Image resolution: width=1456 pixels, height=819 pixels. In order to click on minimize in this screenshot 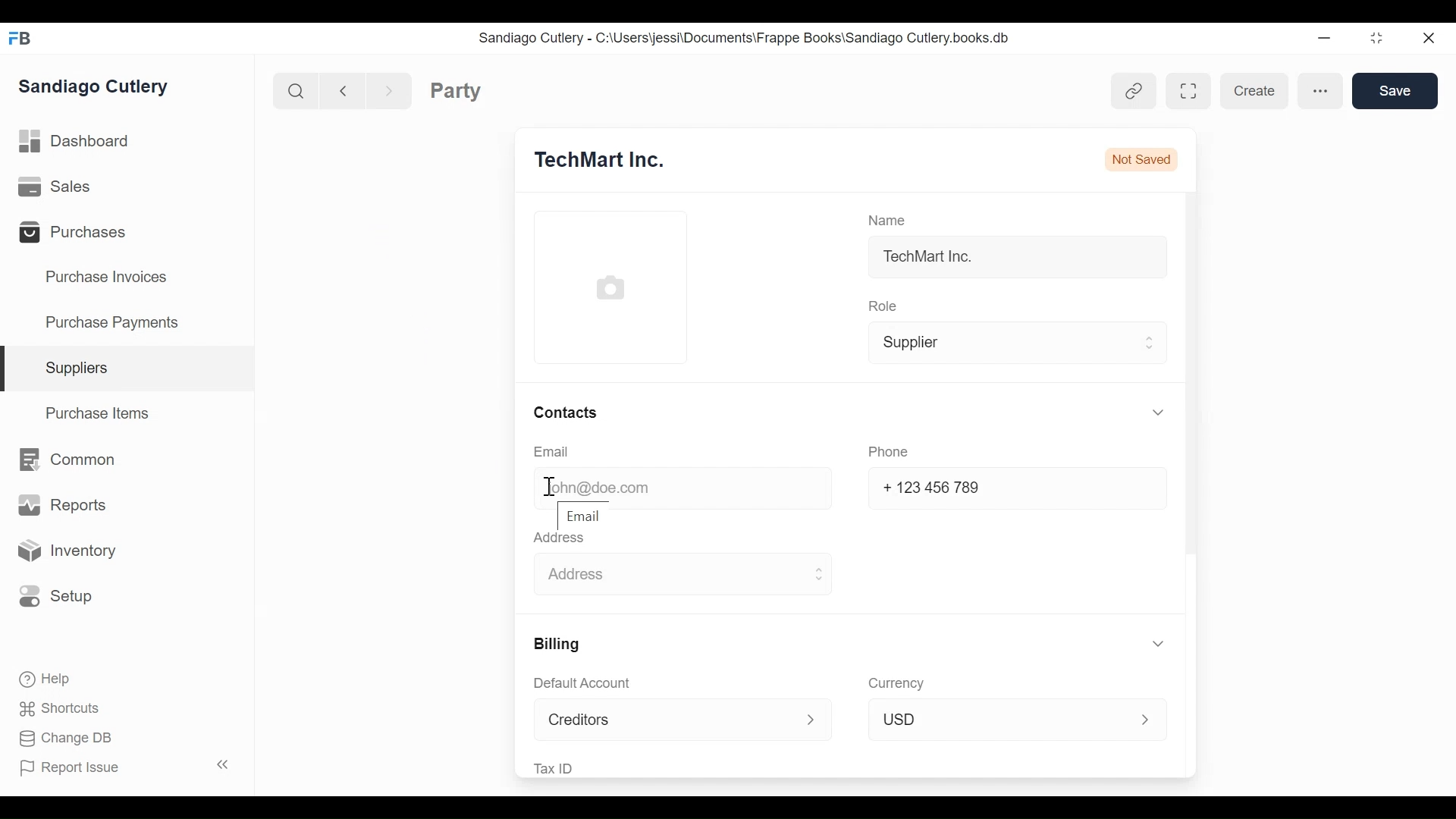, I will do `click(1326, 39)`.